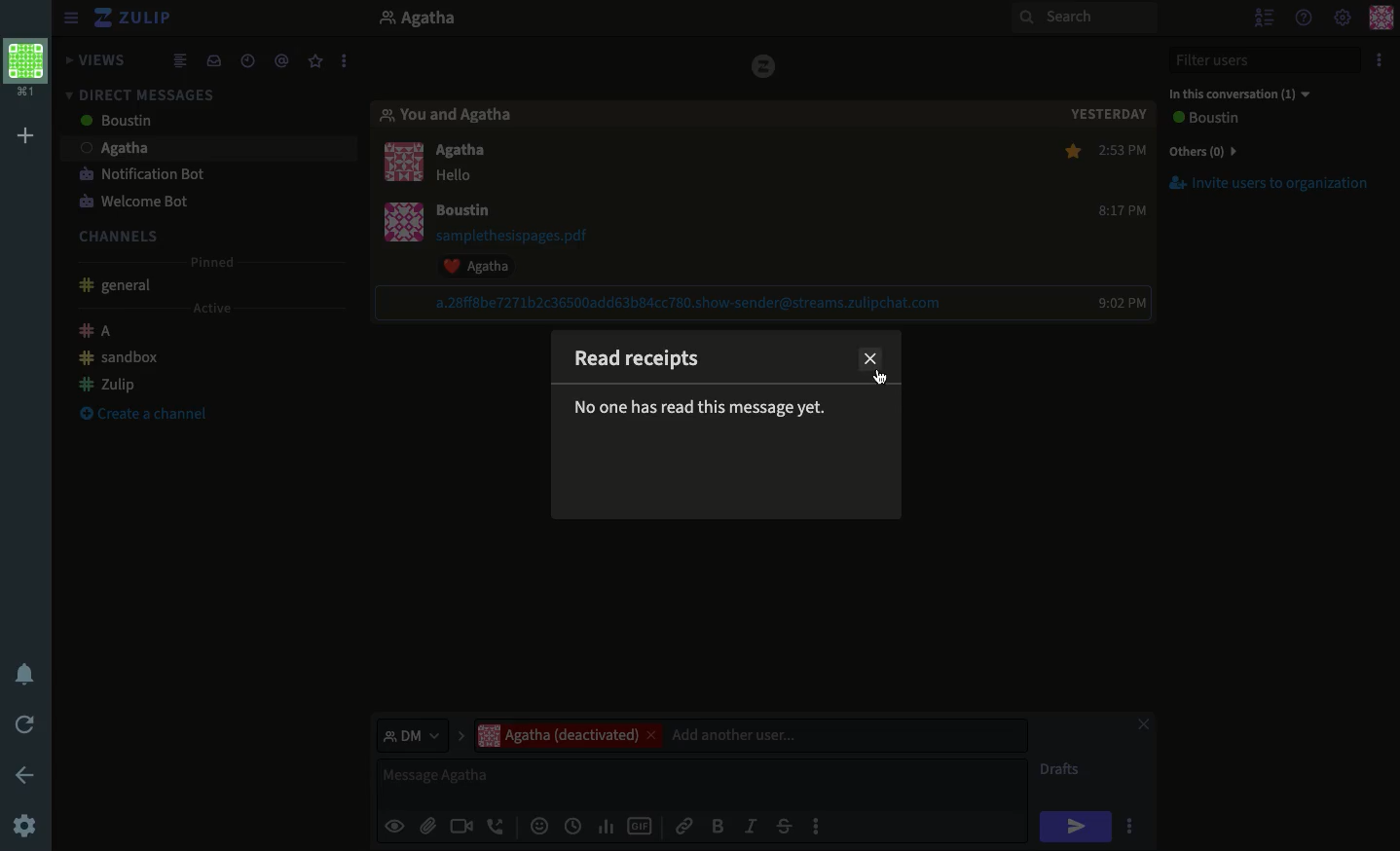 The height and width of the screenshot is (851, 1400). Describe the element at coordinates (1379, 59) in the screenshot. I see `Options` at that location.